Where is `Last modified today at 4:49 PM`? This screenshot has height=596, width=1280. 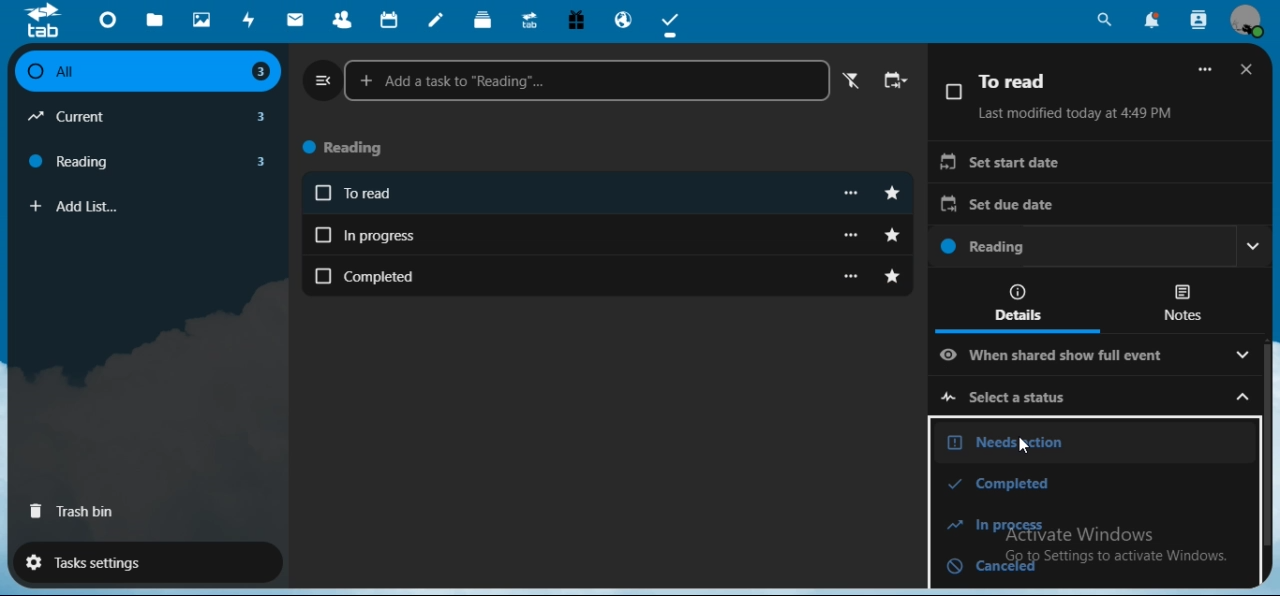
Last modified today at 4:49 PM is located at coordinates (1076, 113).